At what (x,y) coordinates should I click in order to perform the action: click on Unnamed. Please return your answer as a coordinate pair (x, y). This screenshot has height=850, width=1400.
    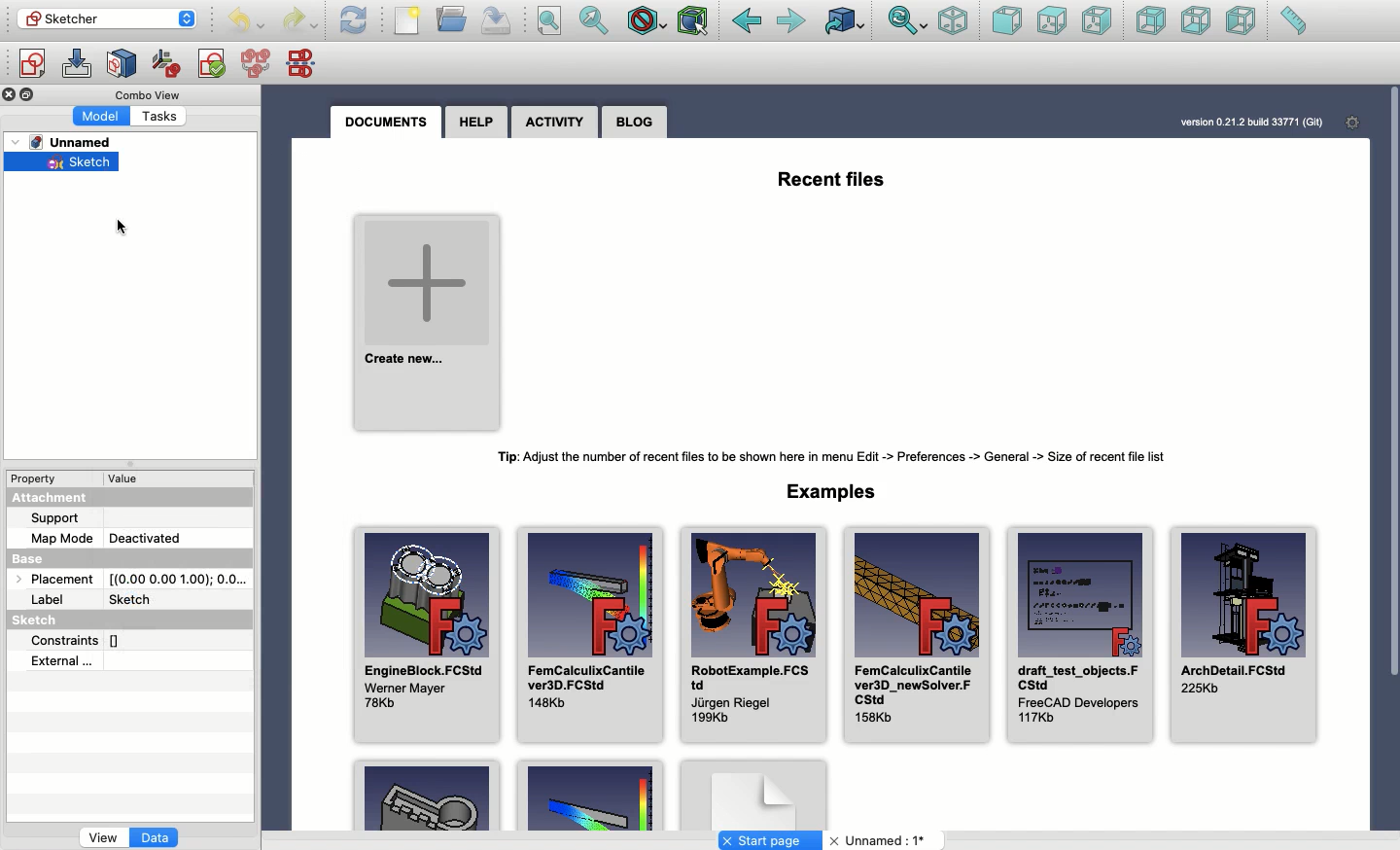
    Looking at the image, I should click on (69, 143).